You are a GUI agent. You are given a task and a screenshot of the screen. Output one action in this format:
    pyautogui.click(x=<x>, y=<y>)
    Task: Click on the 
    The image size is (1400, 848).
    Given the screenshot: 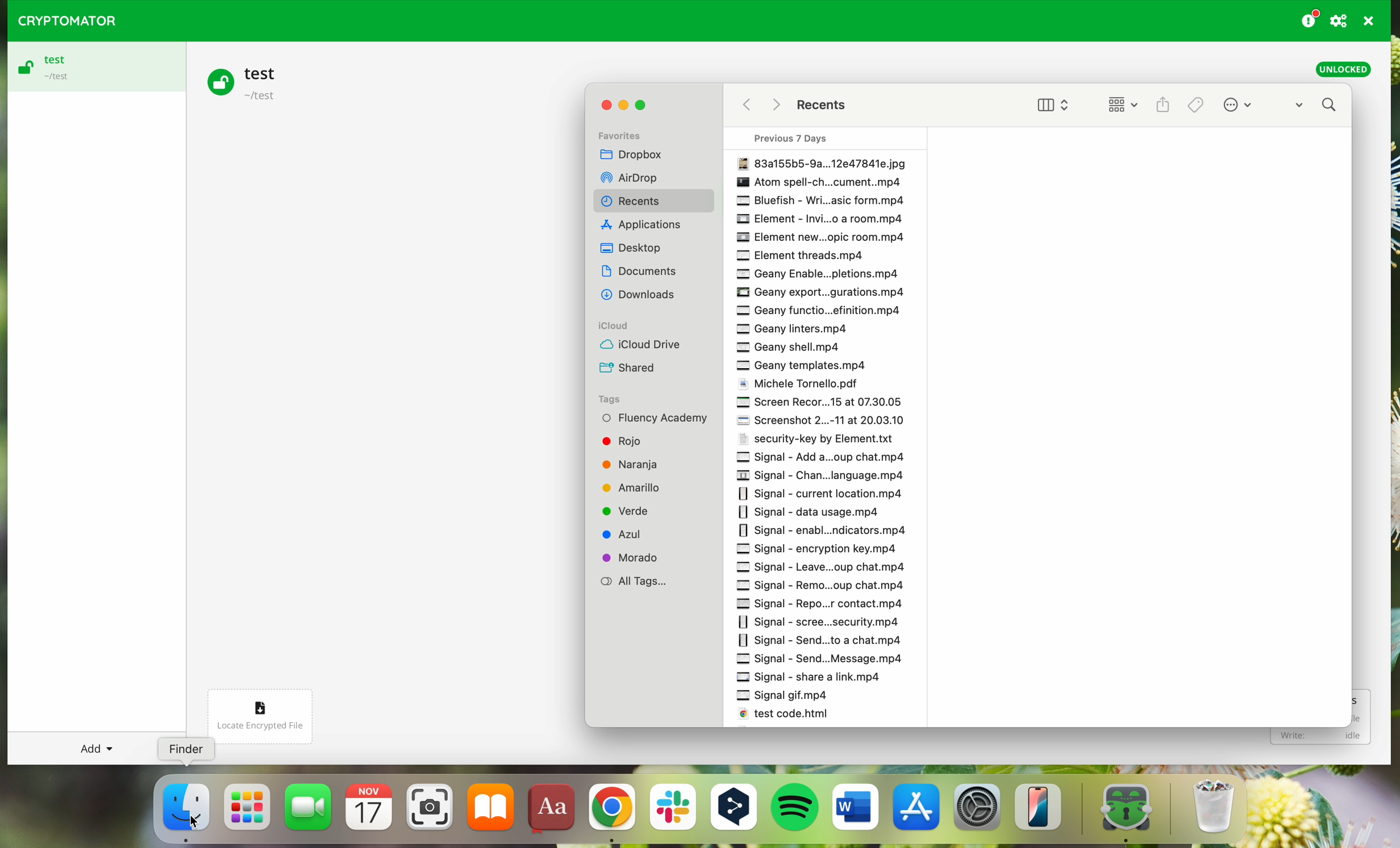 What is the action you would take?
    pyautogui.click(x=648, y=225)
    